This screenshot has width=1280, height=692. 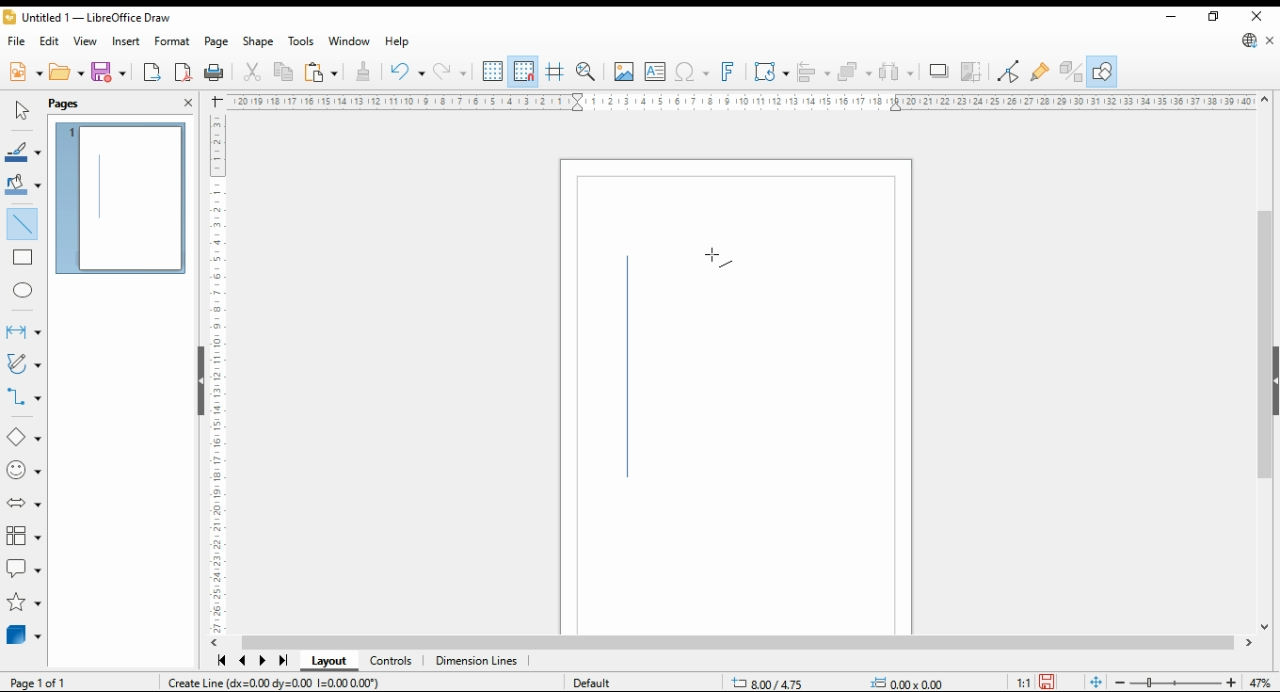 What do you see at coordinates (1213, 17) in the screenshot?
I see `restore` at bounding box center [1213, 17].